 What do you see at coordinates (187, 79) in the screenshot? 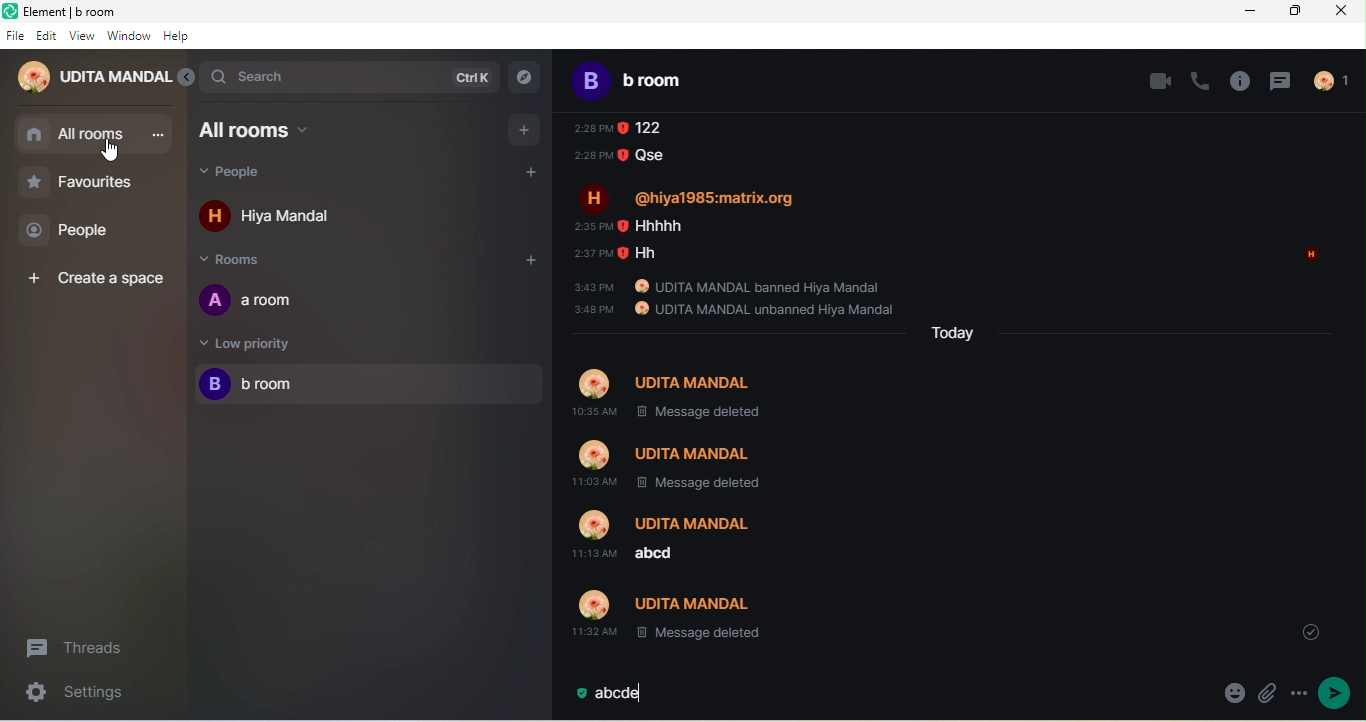
I see `expand` at bounding box center [187, 79].